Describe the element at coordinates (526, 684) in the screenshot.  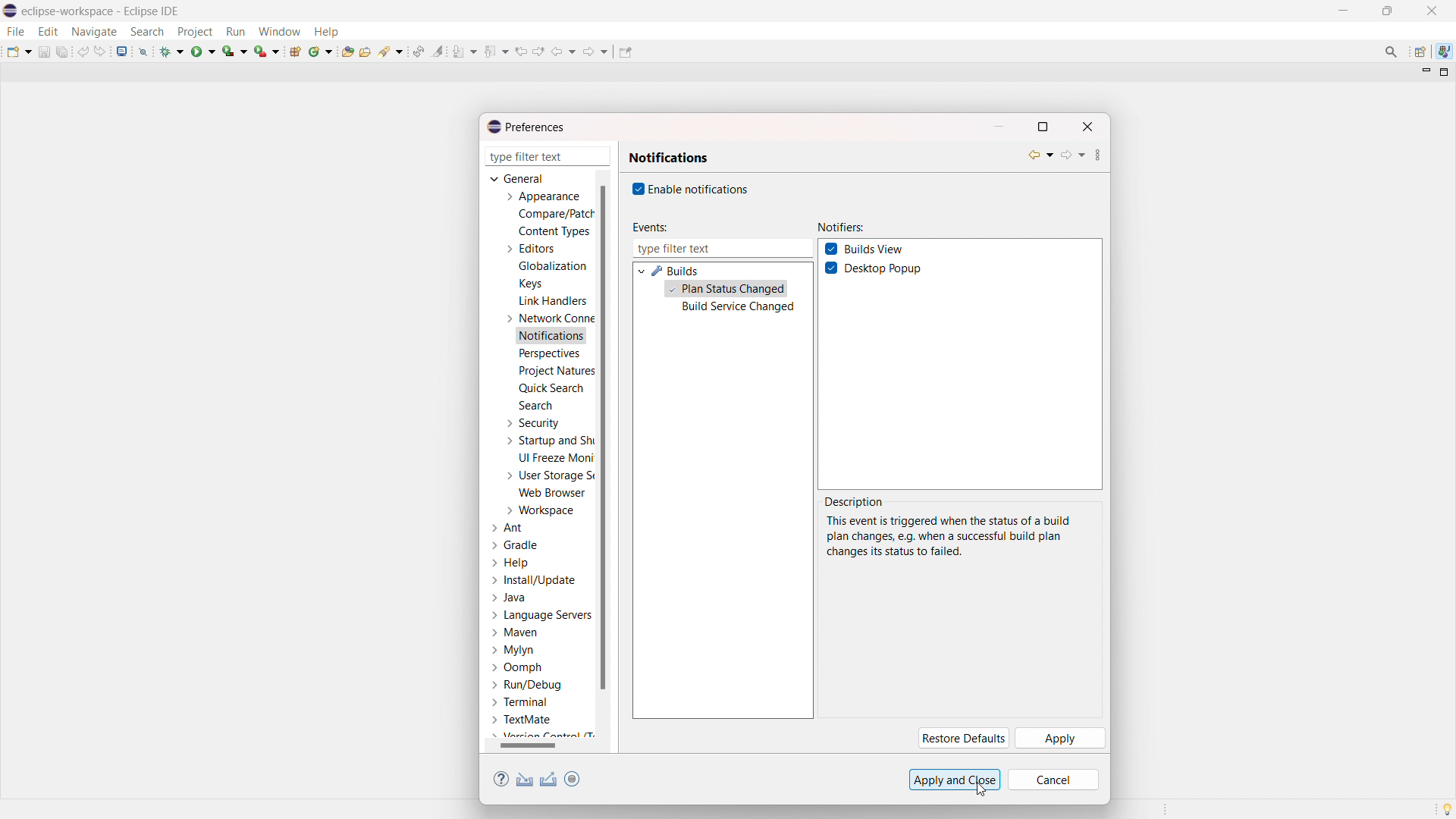
I see `run/debug` at that location.